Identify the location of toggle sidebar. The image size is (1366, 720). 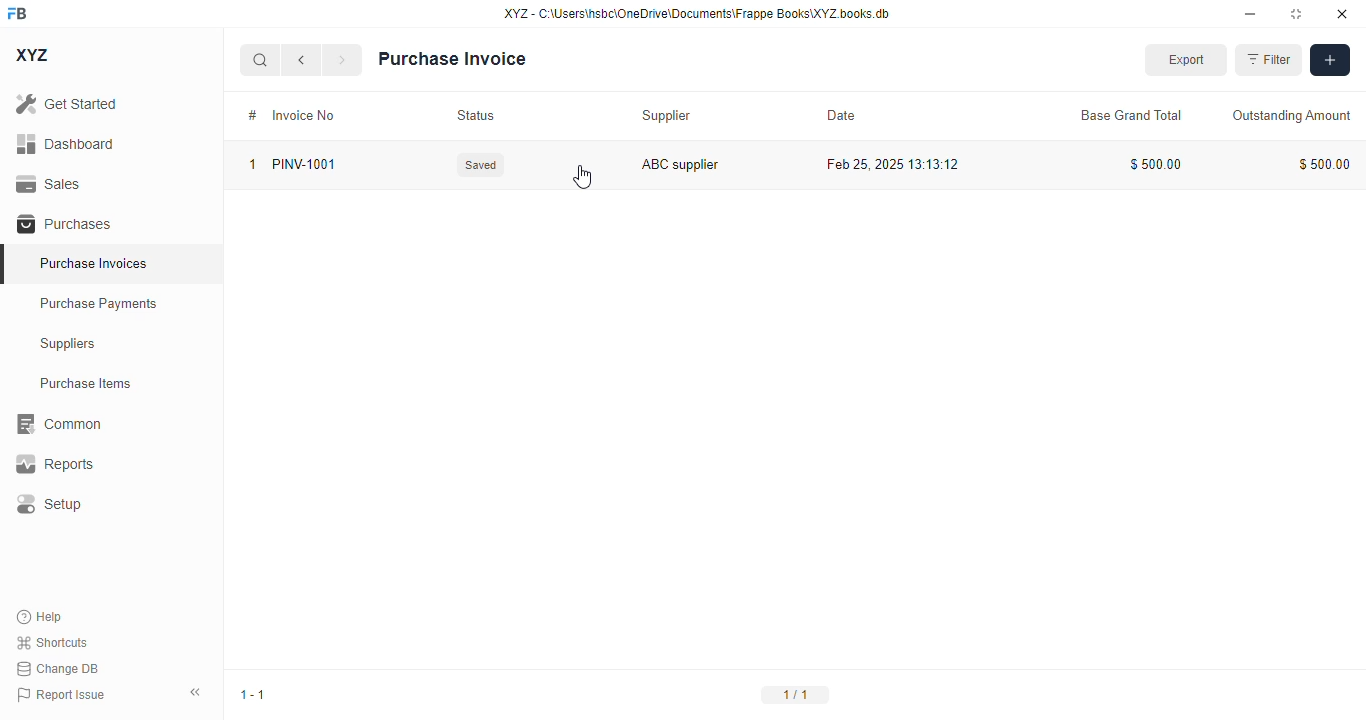
(198, 692).